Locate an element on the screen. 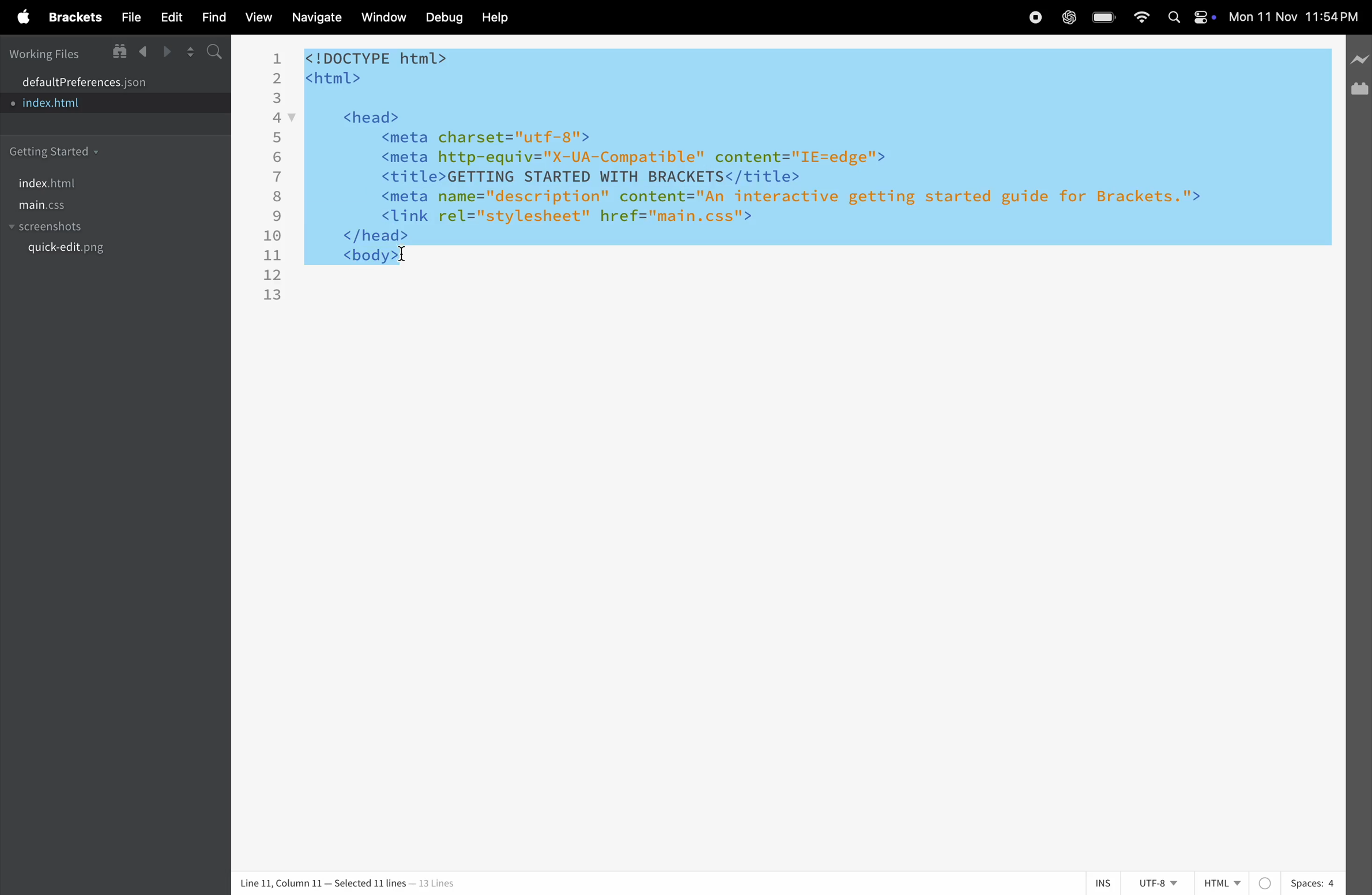  window is located at coordinates (383, 18).